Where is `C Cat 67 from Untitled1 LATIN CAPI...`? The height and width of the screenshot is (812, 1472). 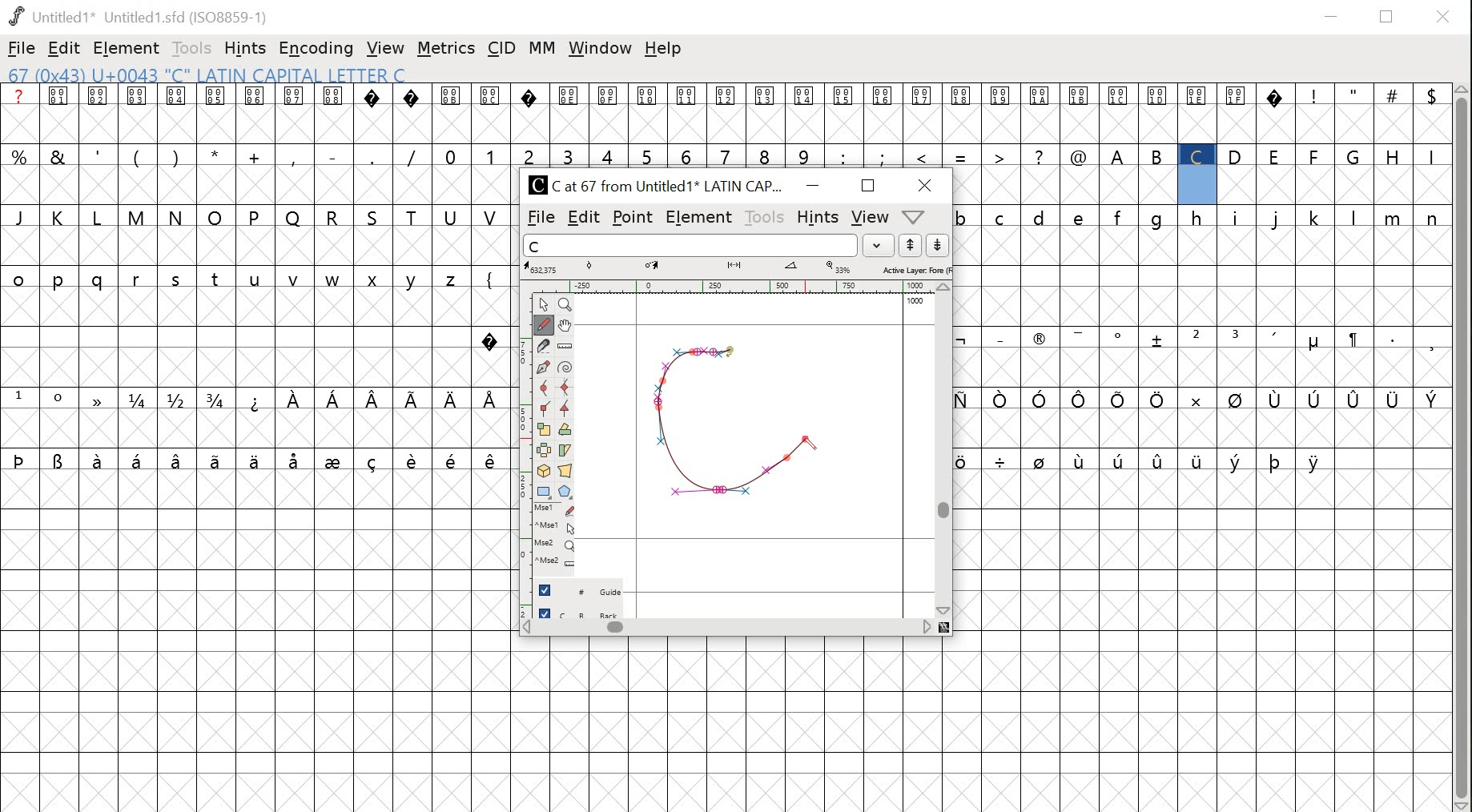
C Cat 67 from Untitled1 LATIN CAPI... is located at coordinates (658, 184).